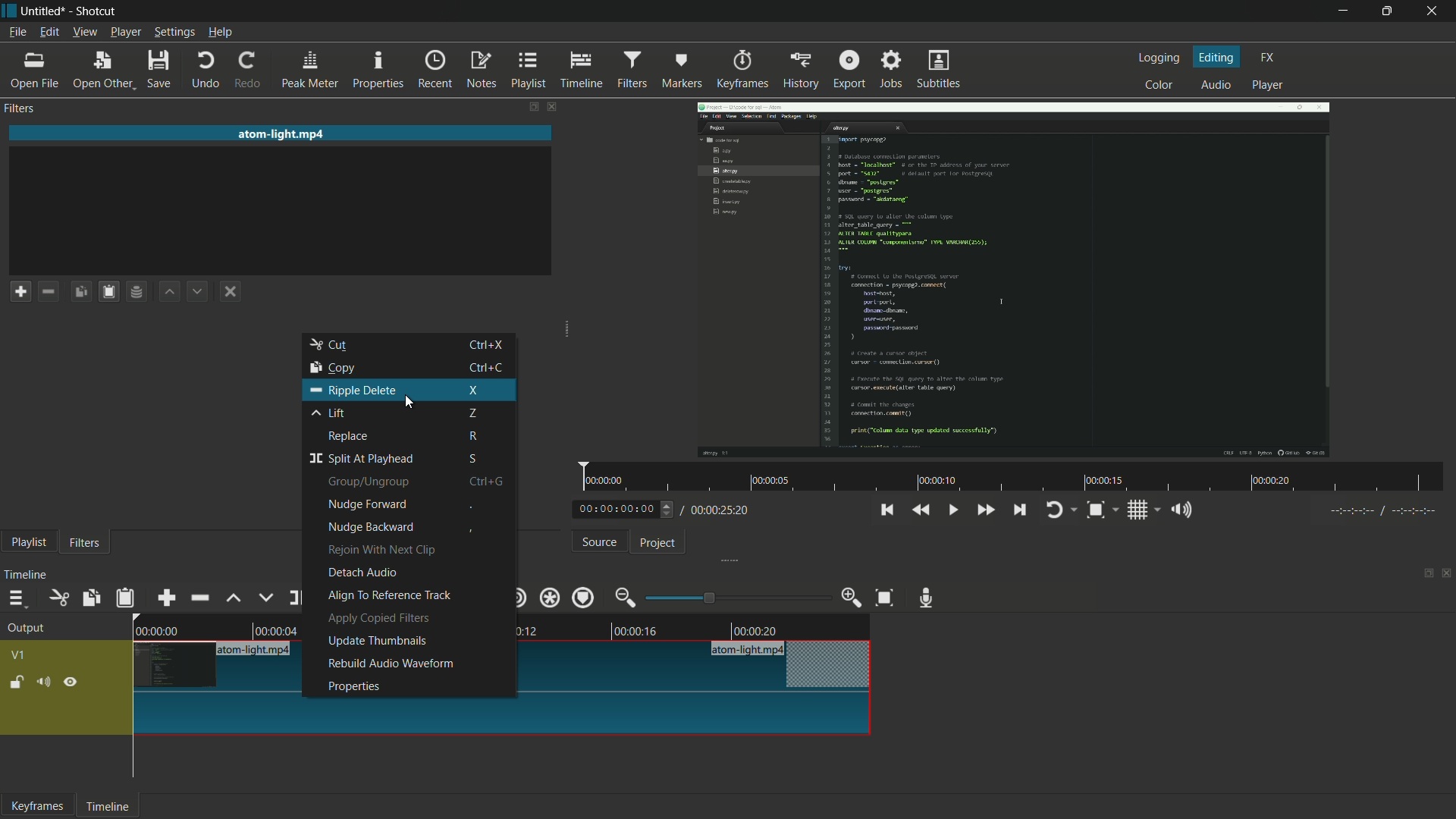  Describe the element at coordinates (406, 437) in the screenshot. I see `replace` at that location.